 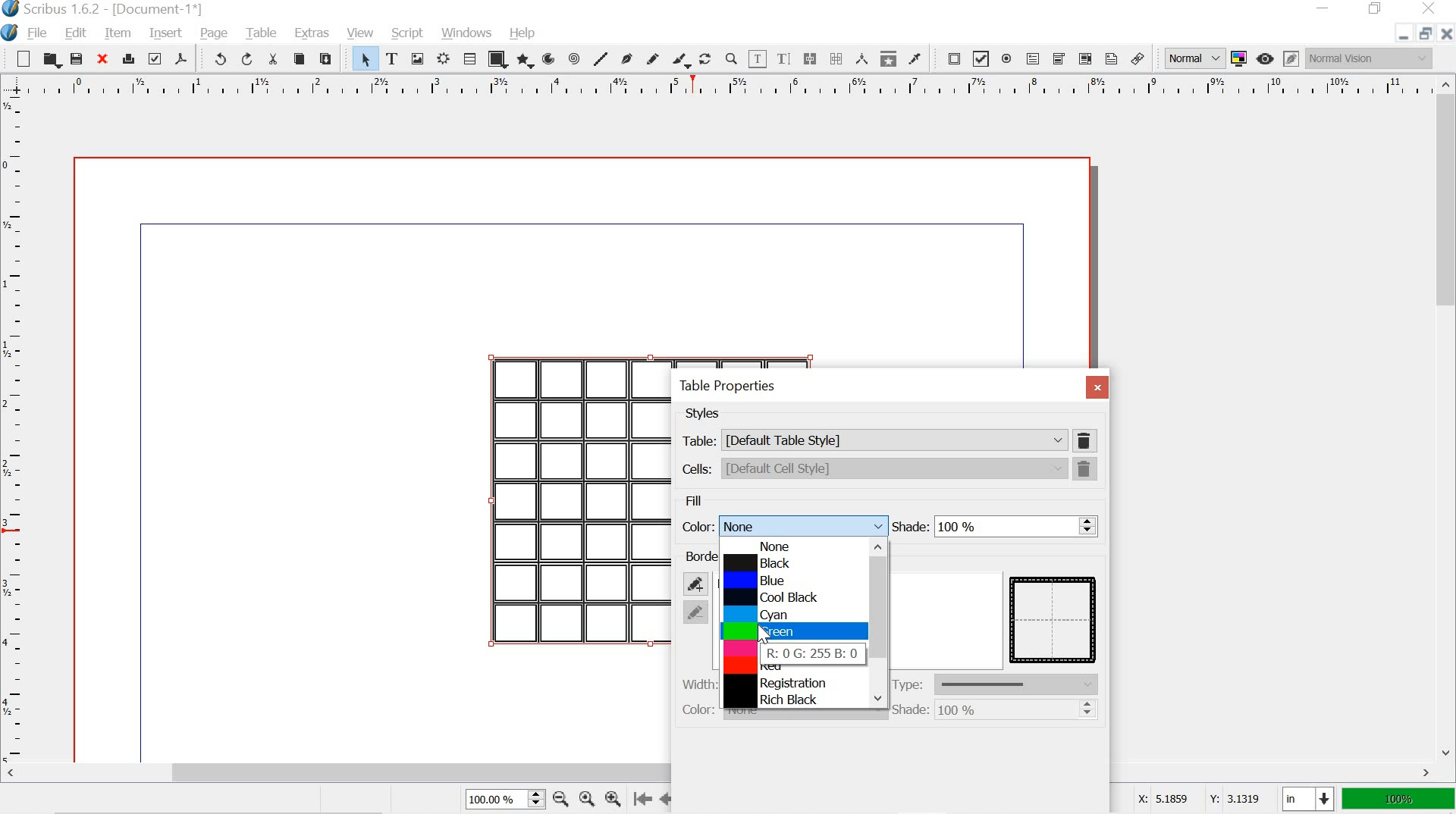 I want to click on R: 0 G: 255 B:0, so click(x=814, y=654).